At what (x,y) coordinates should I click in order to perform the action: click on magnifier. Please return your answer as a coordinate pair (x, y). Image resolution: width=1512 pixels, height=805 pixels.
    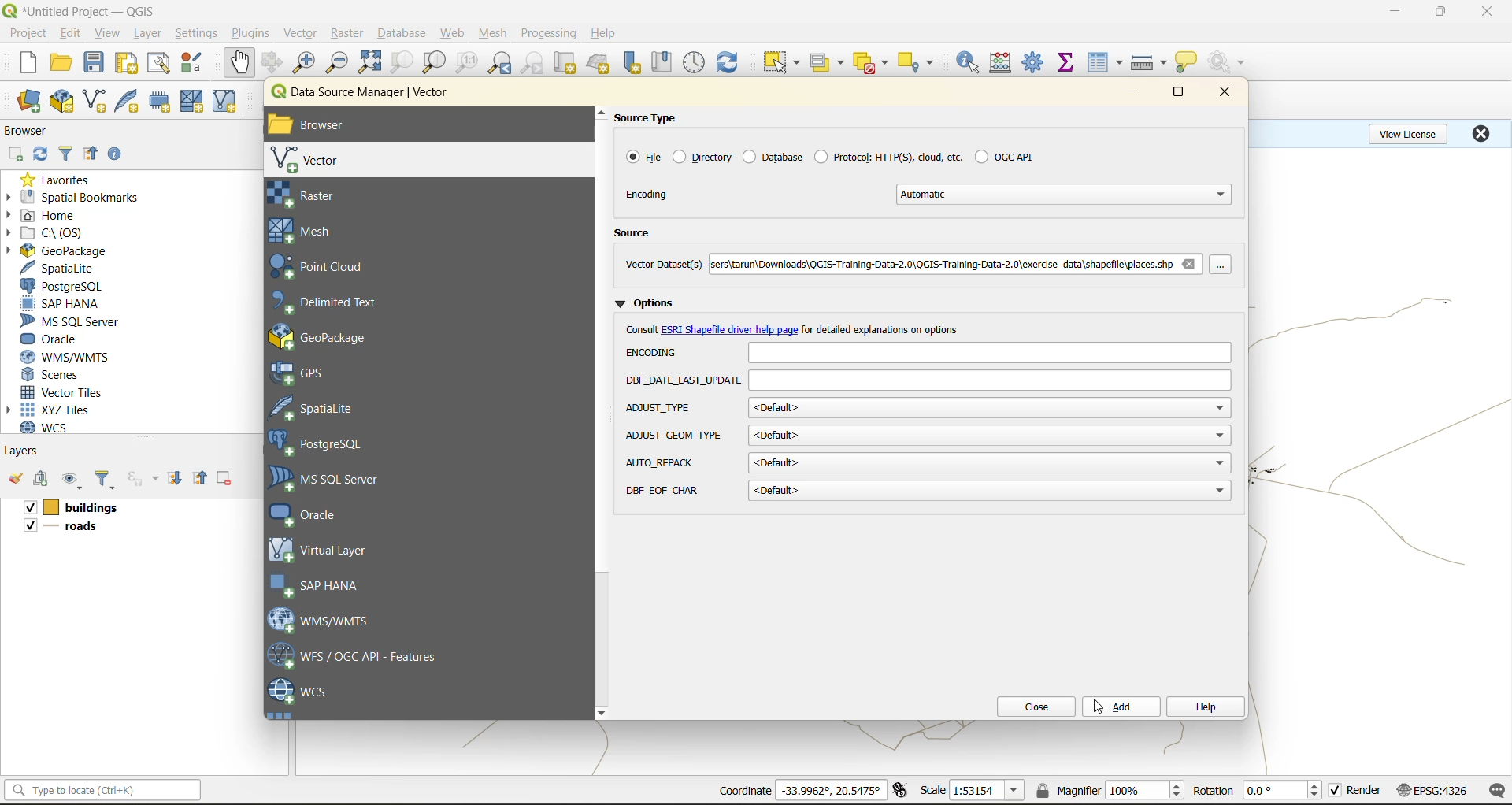
    Looking at the image, I should click on (1067, 790).